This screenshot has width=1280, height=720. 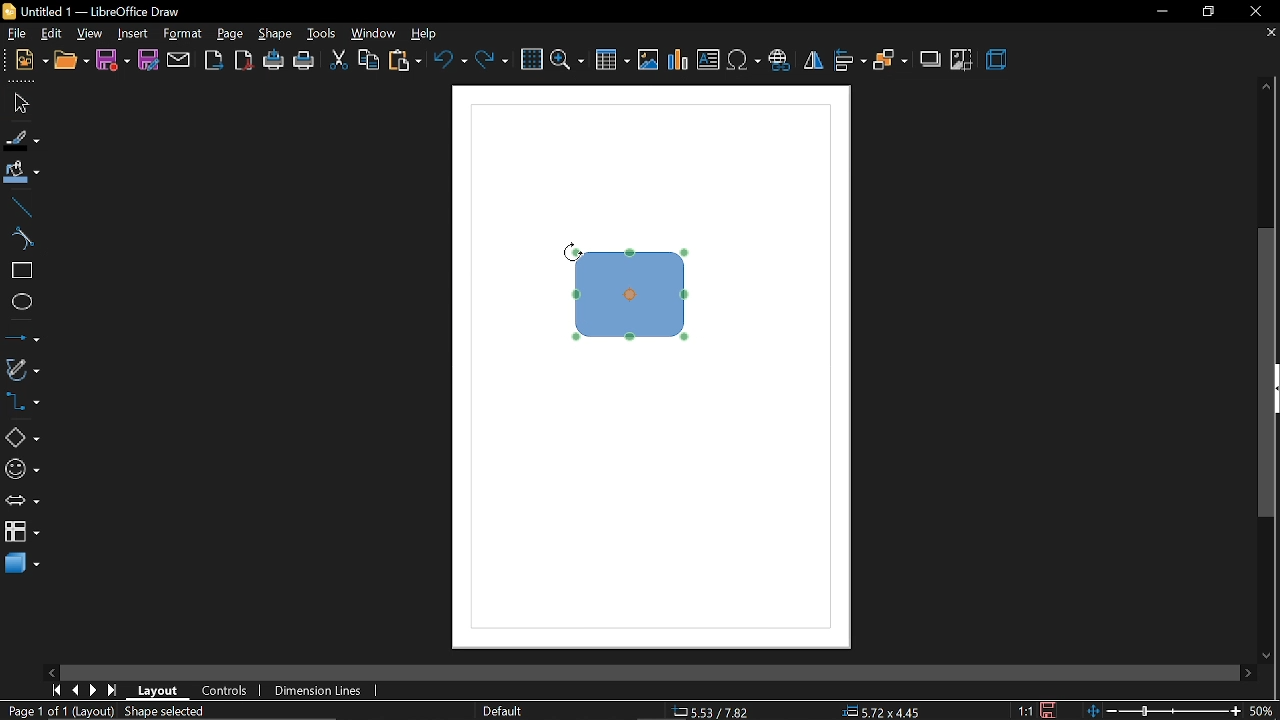 I want to click on copy, so click(x=369, y=62).